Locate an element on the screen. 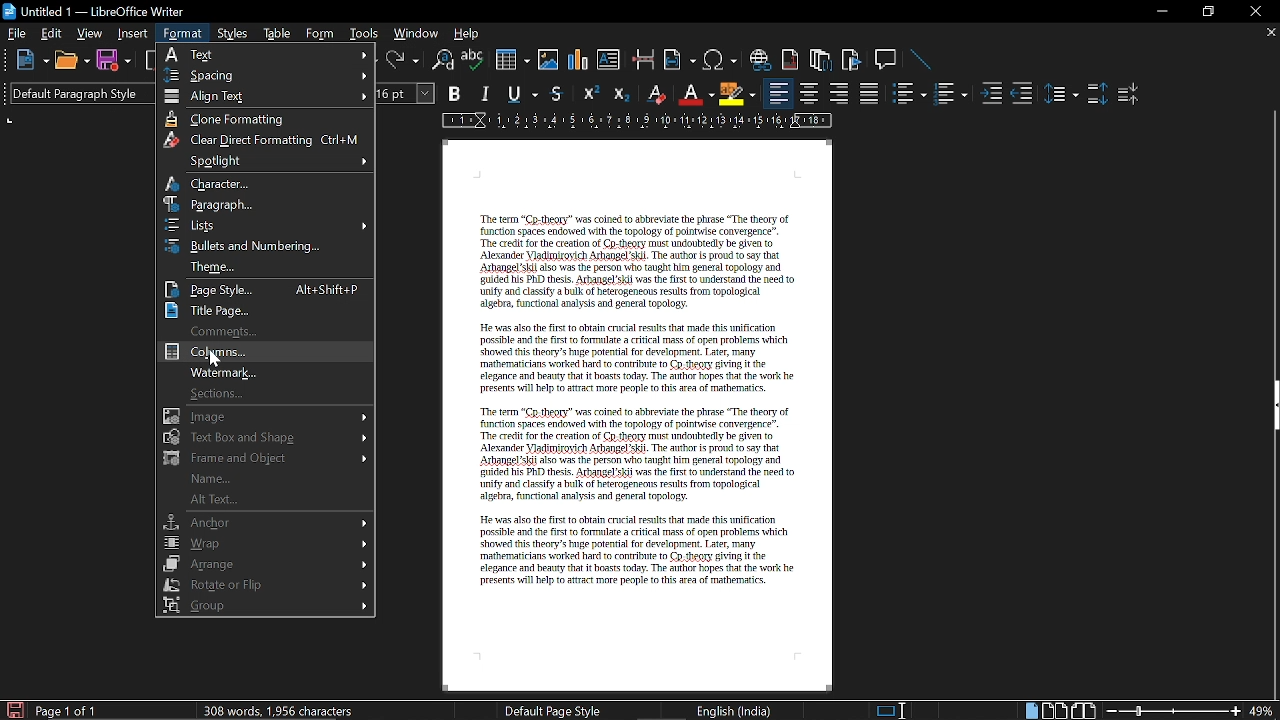 Image resolution: width=1280 pixels, height=720 pixels. Insert field is located at coordinates (679, 61).